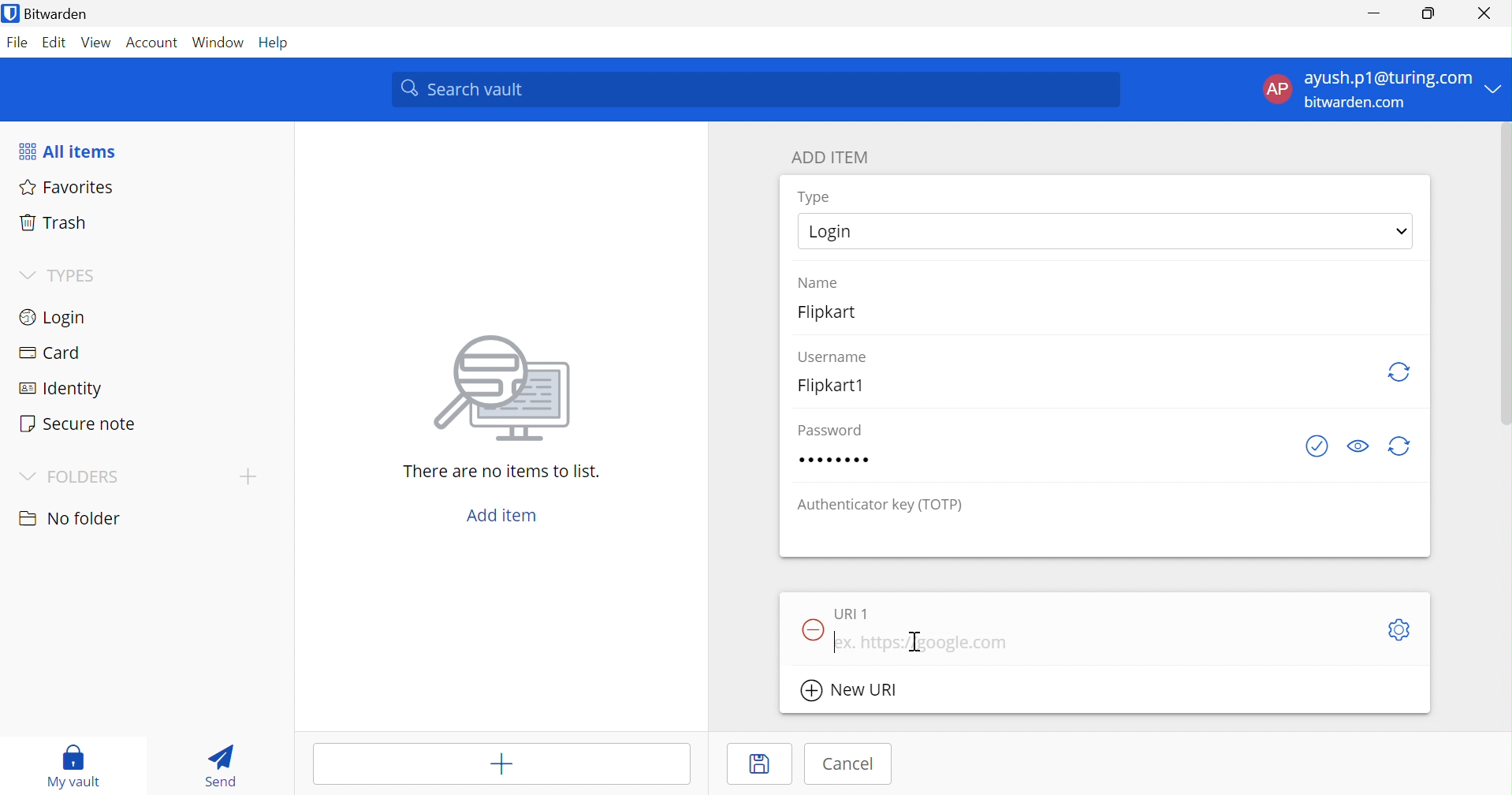  What do you see at coordinates (924, 642) in the screenshot?
I see `eg. https://google.com` at bounding box center [924, 642].